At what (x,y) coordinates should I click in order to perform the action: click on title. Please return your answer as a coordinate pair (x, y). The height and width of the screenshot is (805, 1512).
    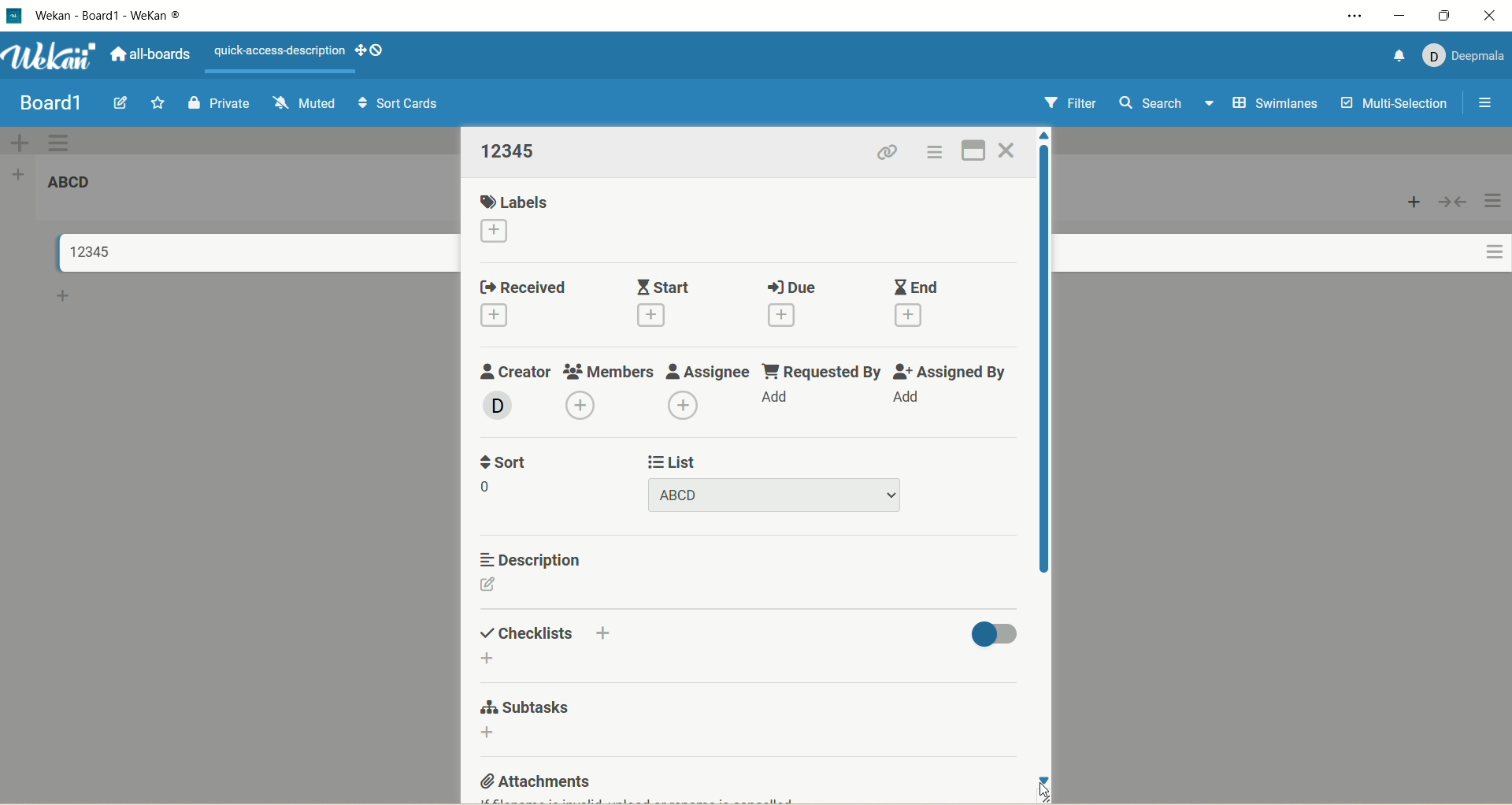
    Looking at the image, I should click on (511, 150).